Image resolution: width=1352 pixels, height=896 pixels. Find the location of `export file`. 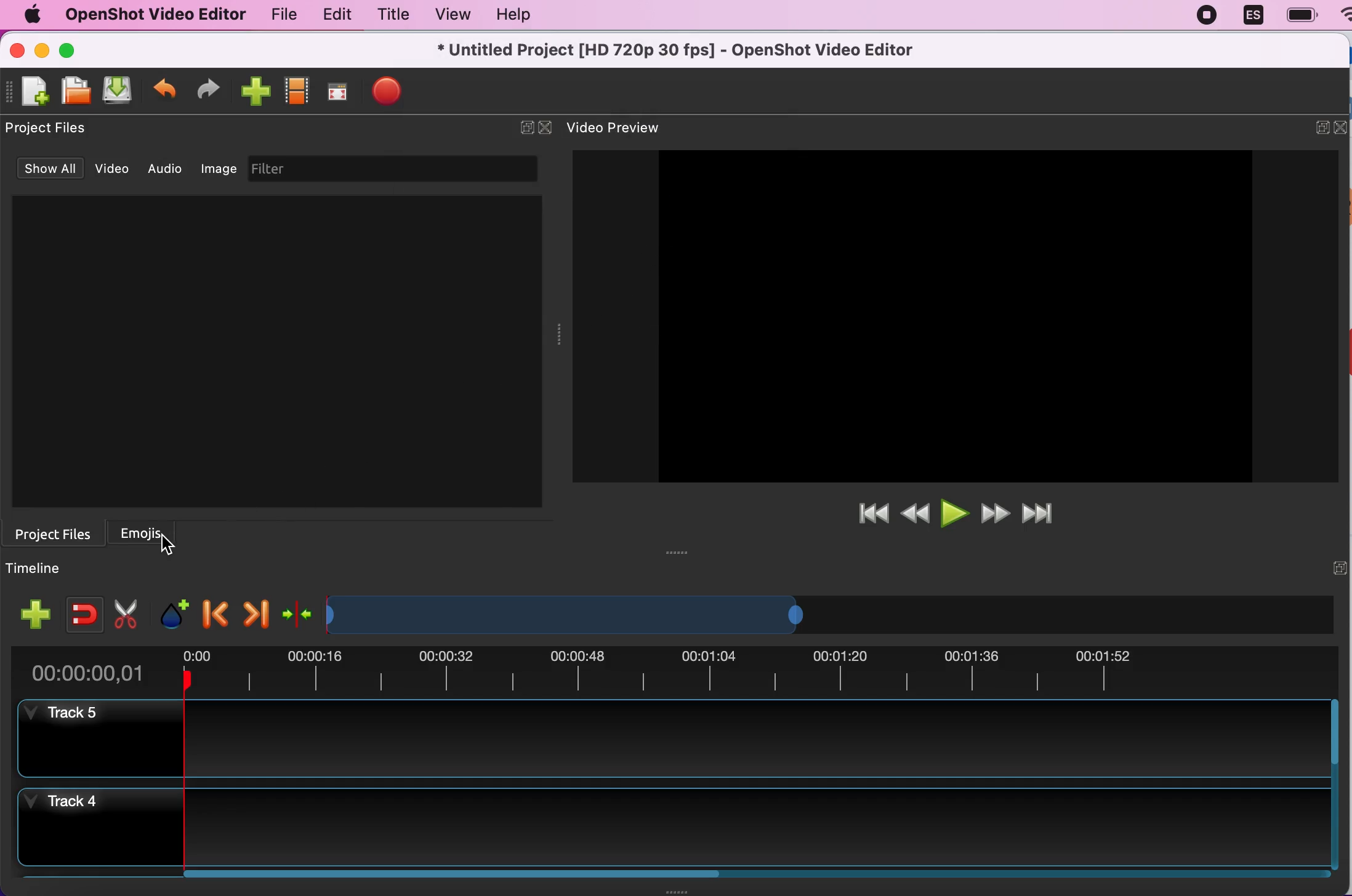

export file is located at coordinates (387, 92).